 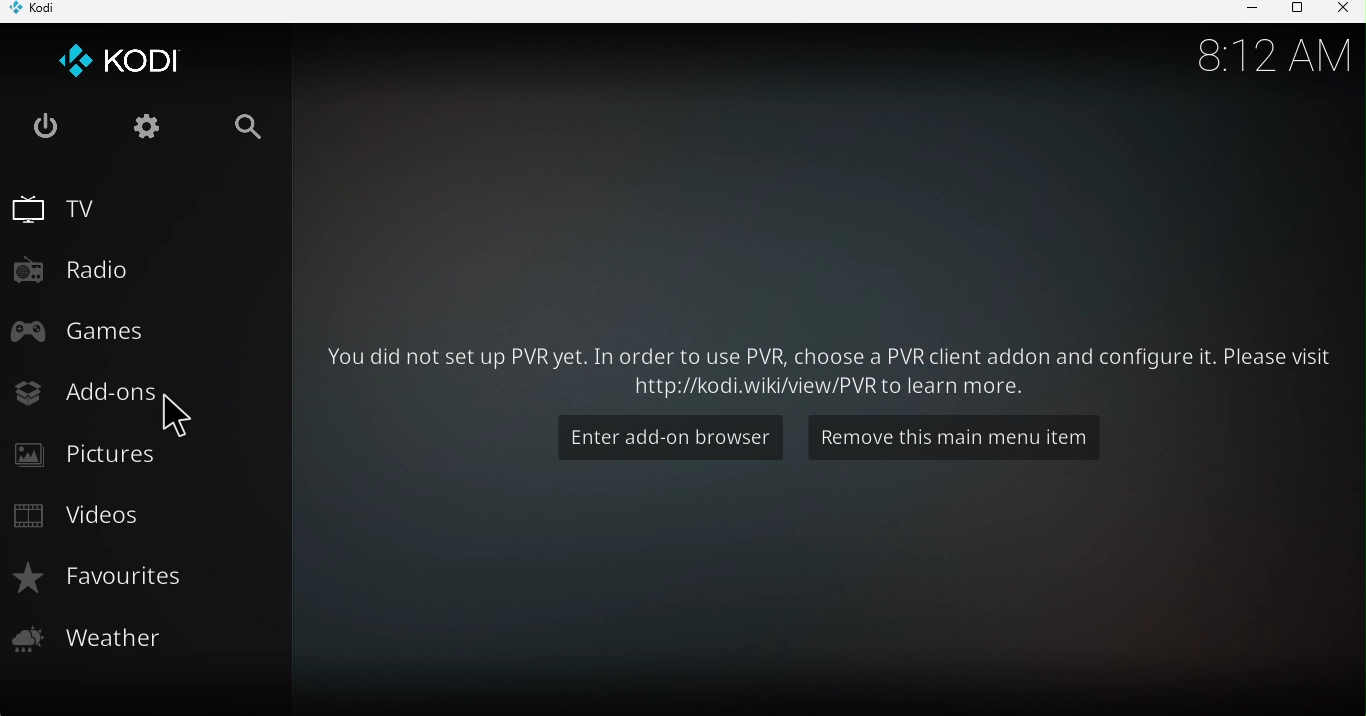 What do you see at coordinates (1293, 11) in the screenshot?
I see `Maximize` at bounding box center [1293, 11].